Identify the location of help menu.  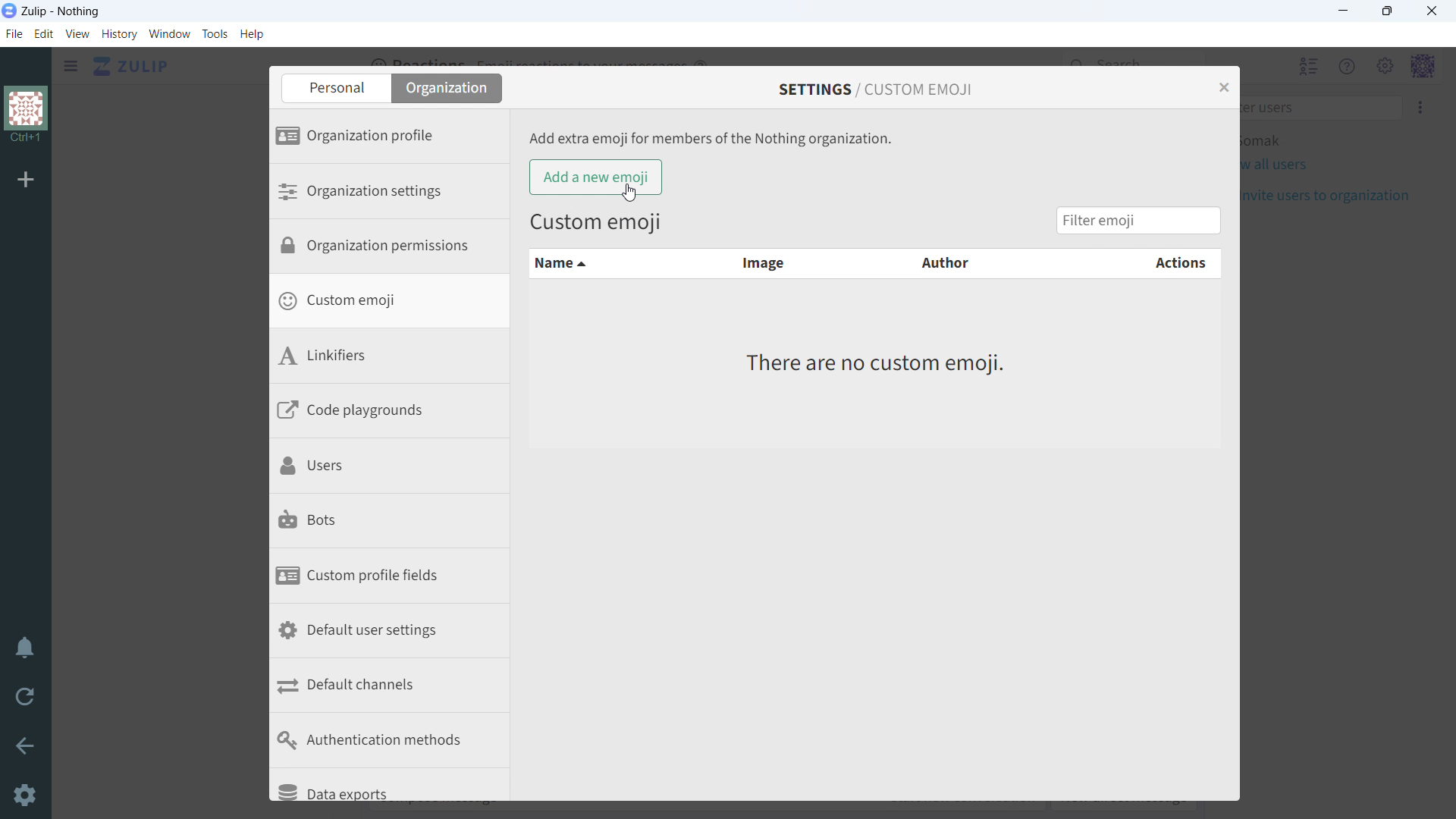
(1346, 66).